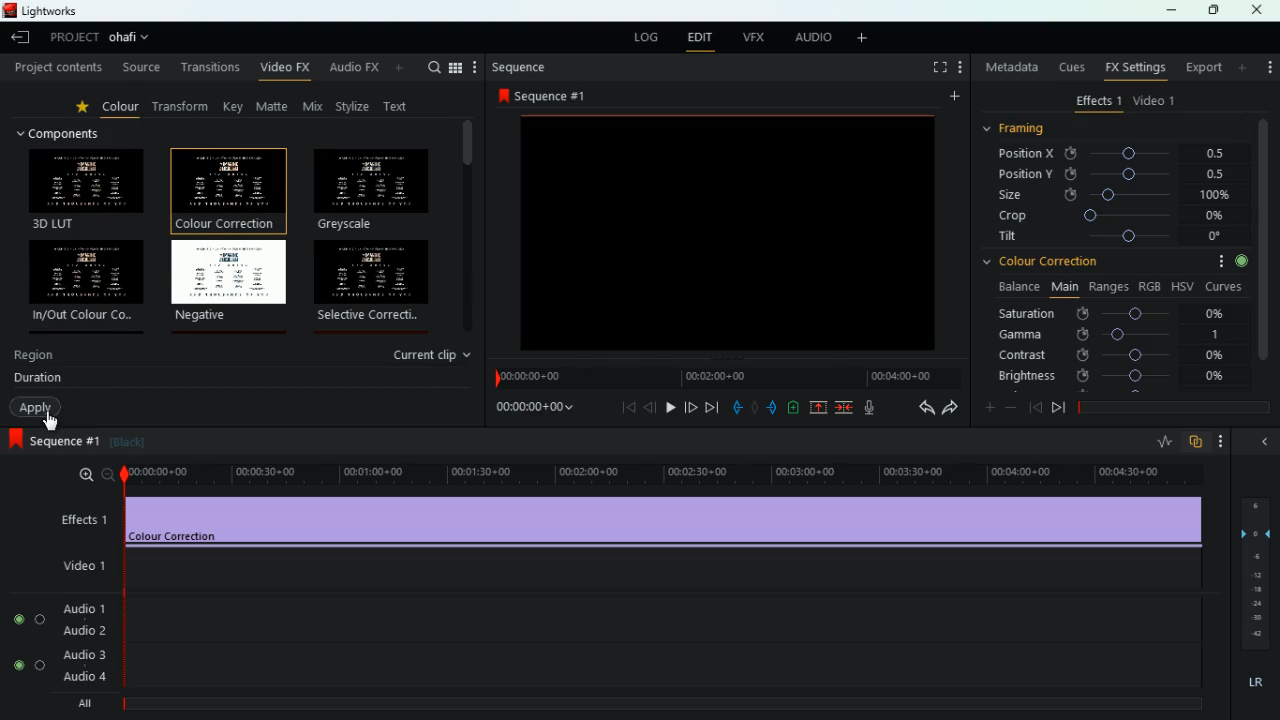 This screenshot has height=720, width=1280. Describe the element at coordinates (1056, 409) in the screenshot. I see `next` at that location.